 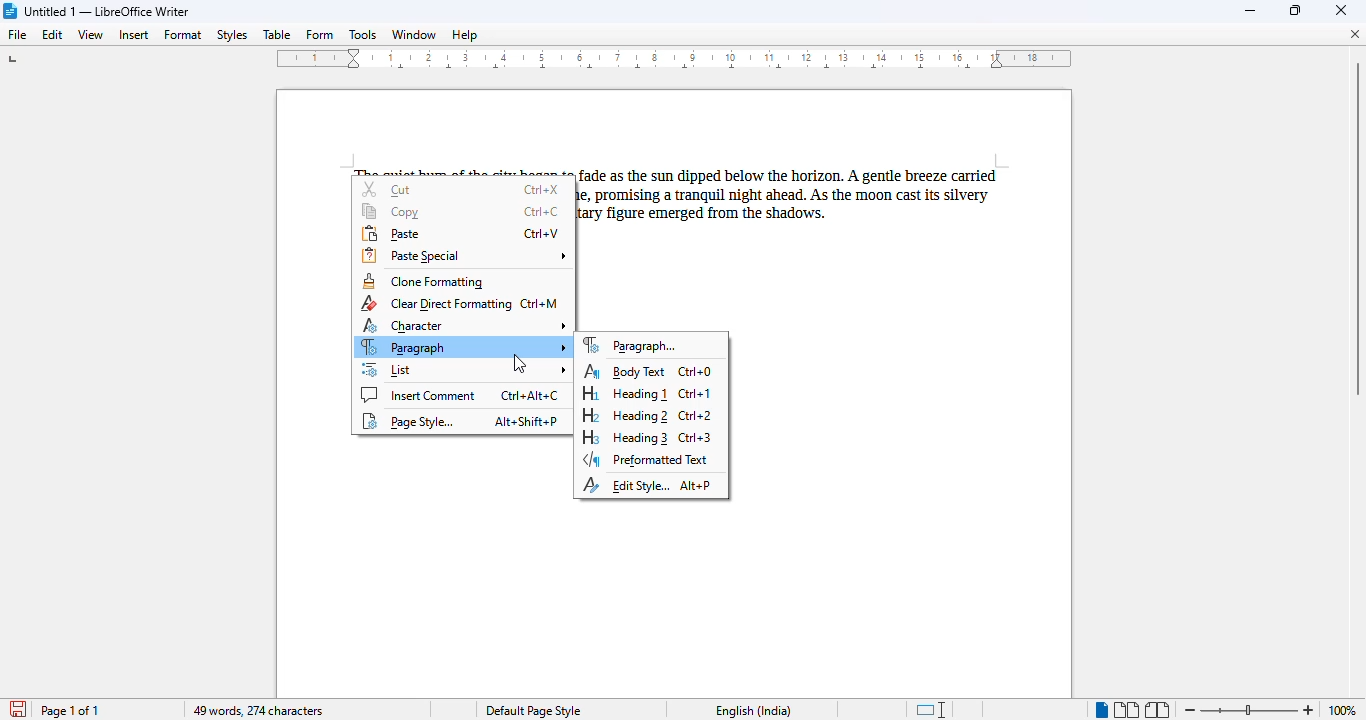 What do you see at coordinates (753, 710) in the screenshot?
I see `text language` at bounding box center [753, 710].